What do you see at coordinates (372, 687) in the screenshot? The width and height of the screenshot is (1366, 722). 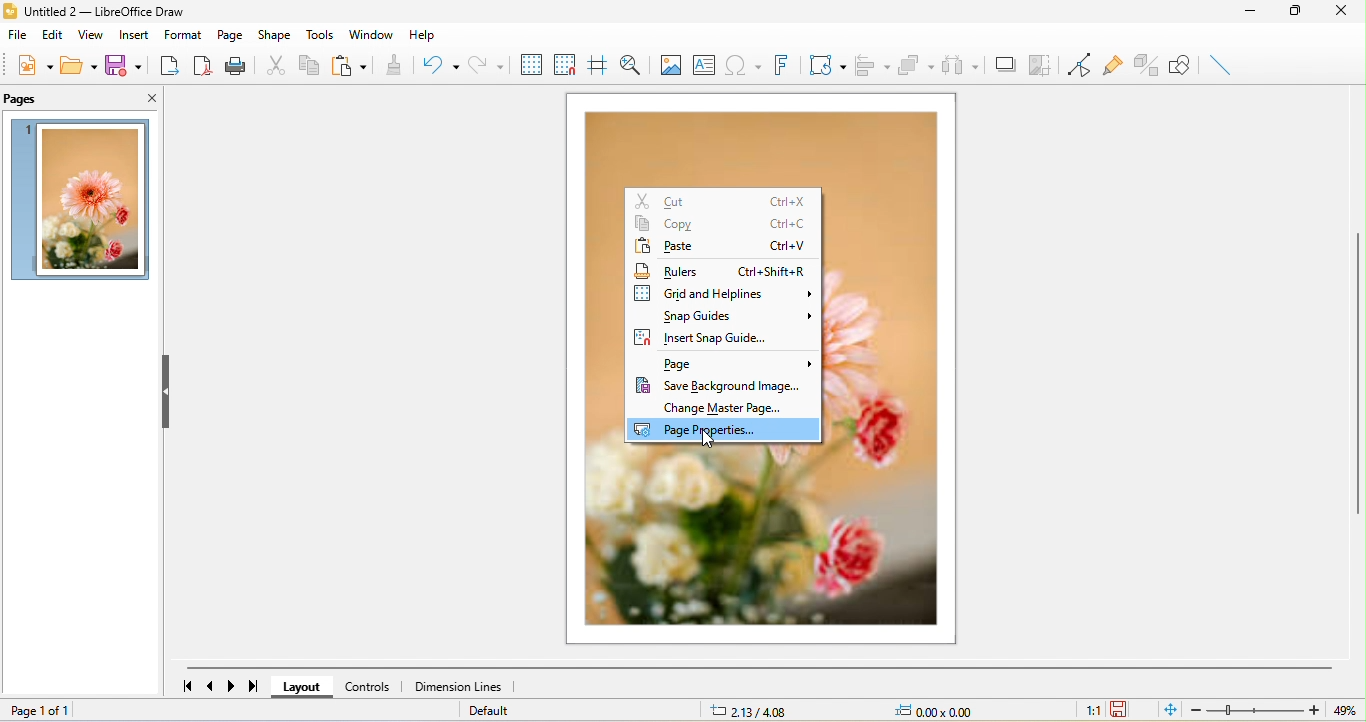 I see `controls` at bounding box center [372, 687].